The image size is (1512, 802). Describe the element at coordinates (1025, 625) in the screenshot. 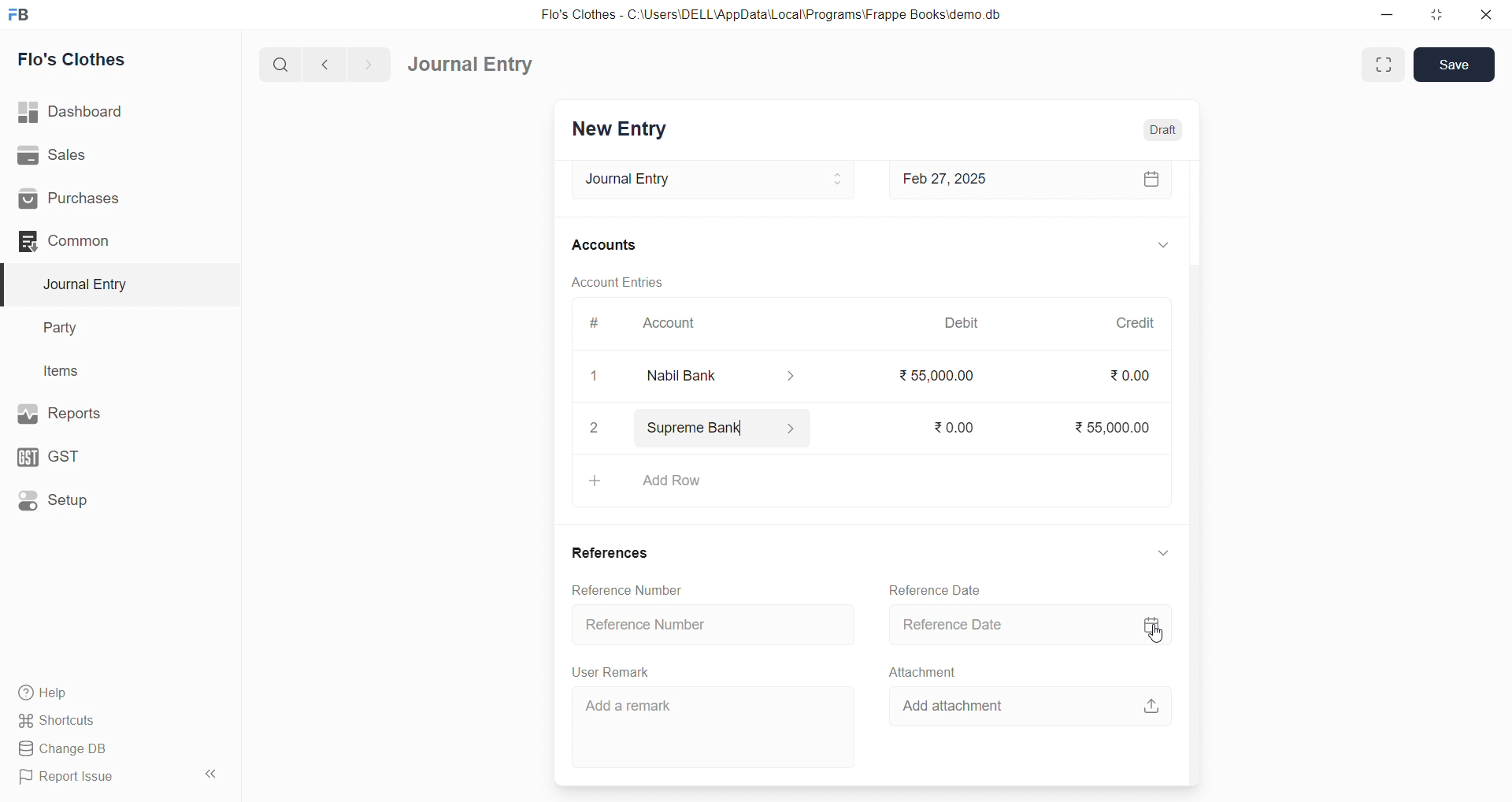

I see `Reference Date` at that location.